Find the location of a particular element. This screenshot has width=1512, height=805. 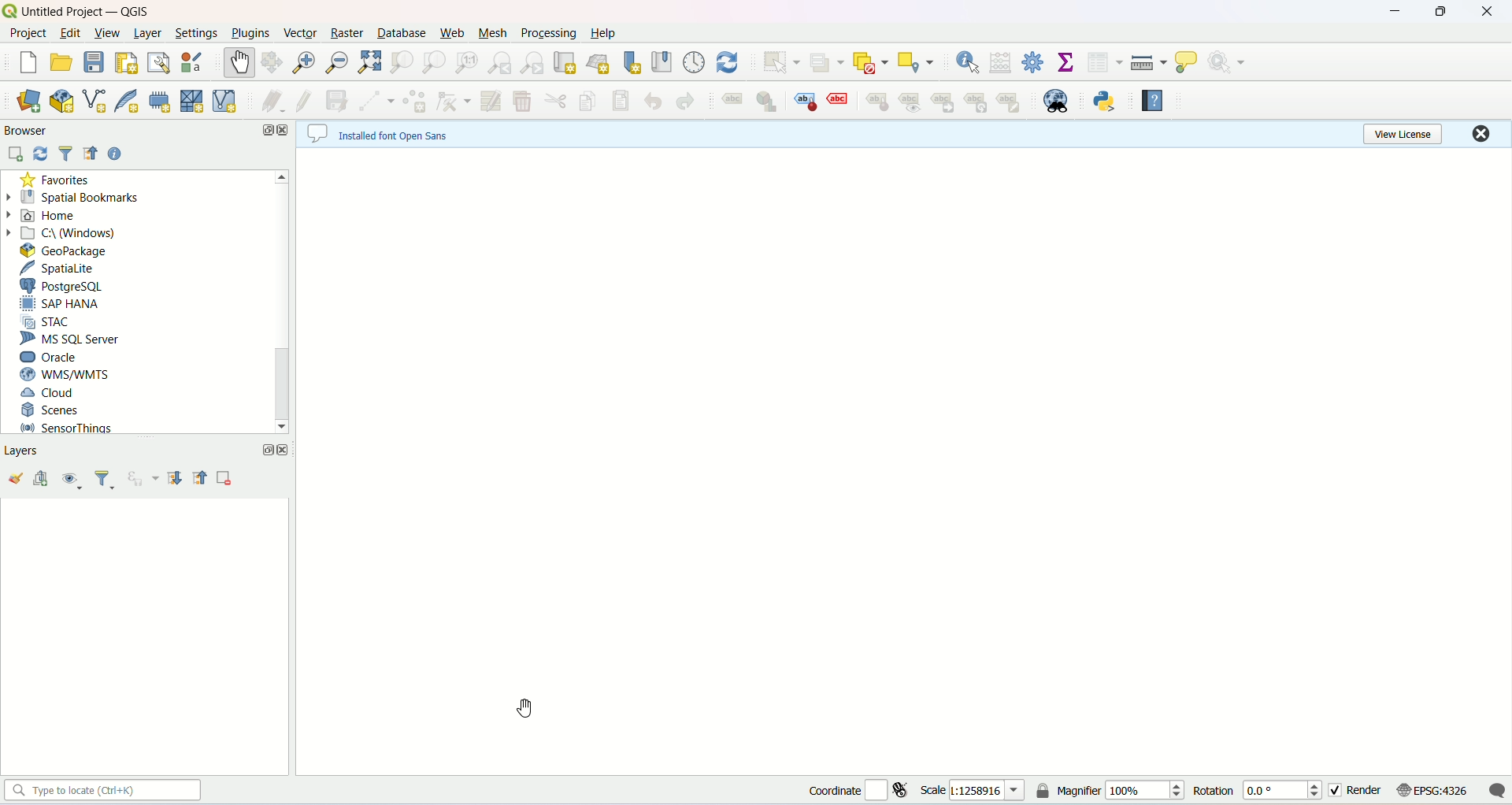

toggle editing is located at coordinates (305, 99).